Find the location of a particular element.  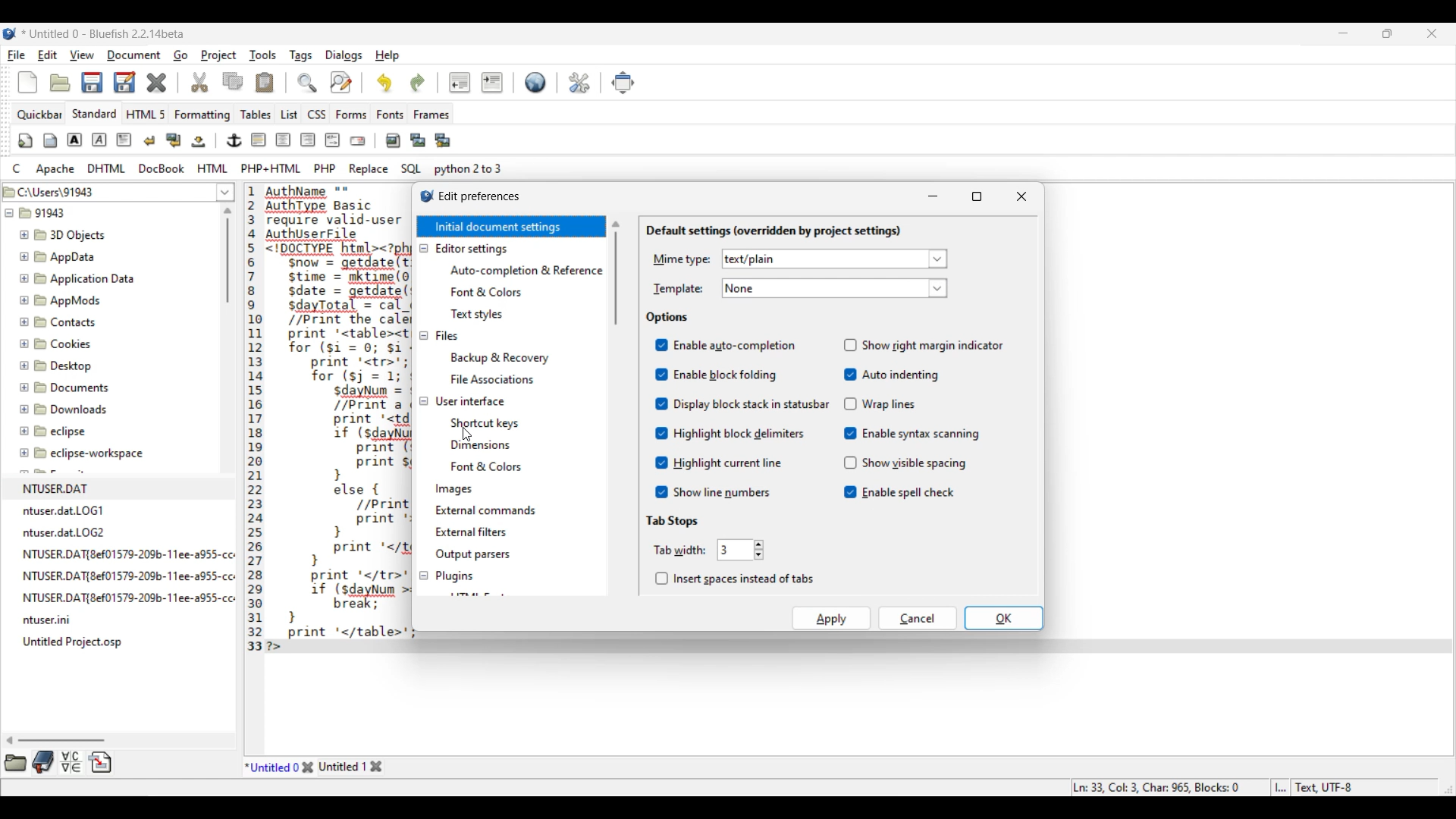

ntuser.dat.LOG2 is located at coordinates (69, 531).